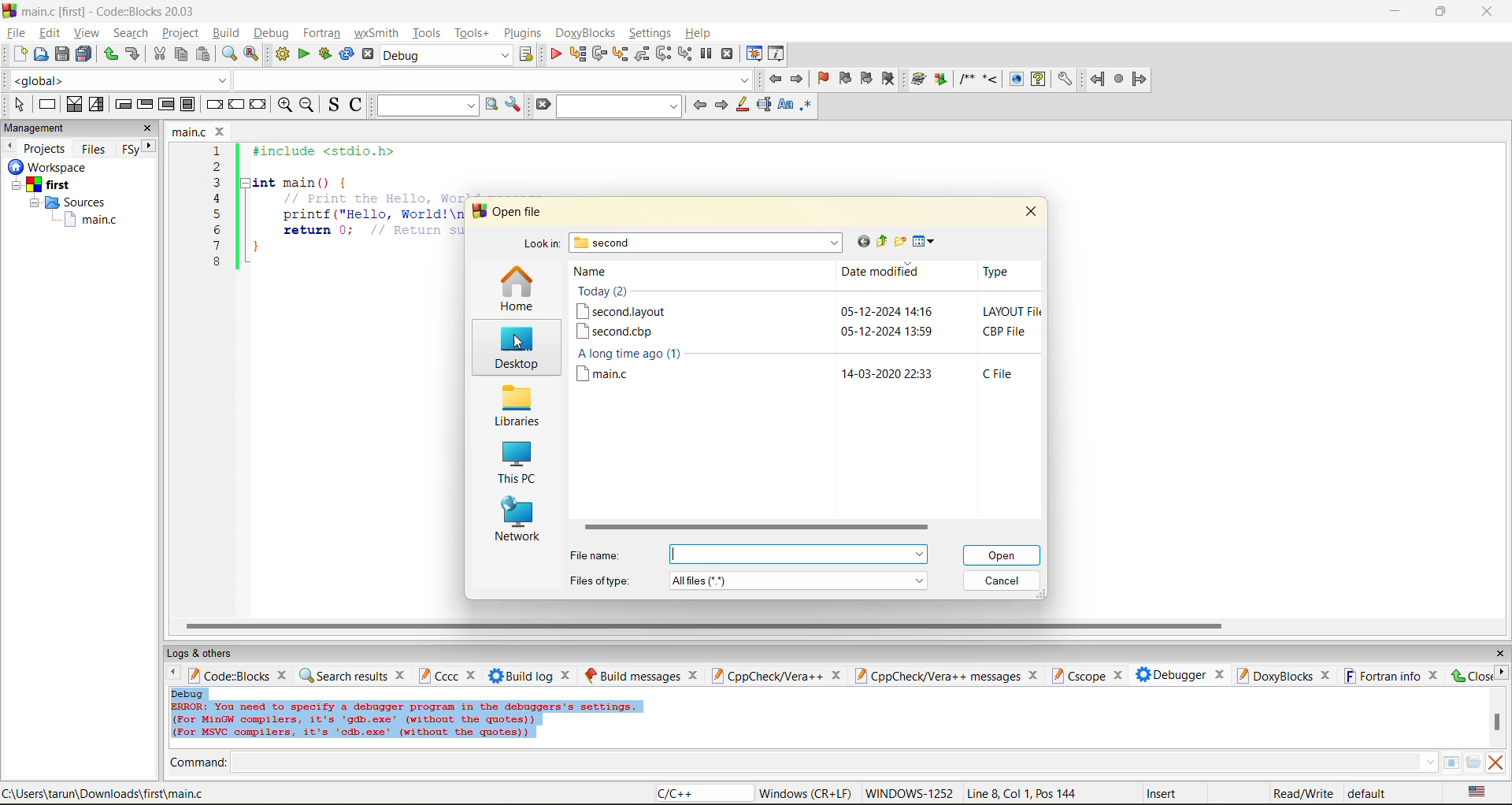  Describe the element at coordinates (910, 794) in the screenshot. I see `Windows 1252` at that location.